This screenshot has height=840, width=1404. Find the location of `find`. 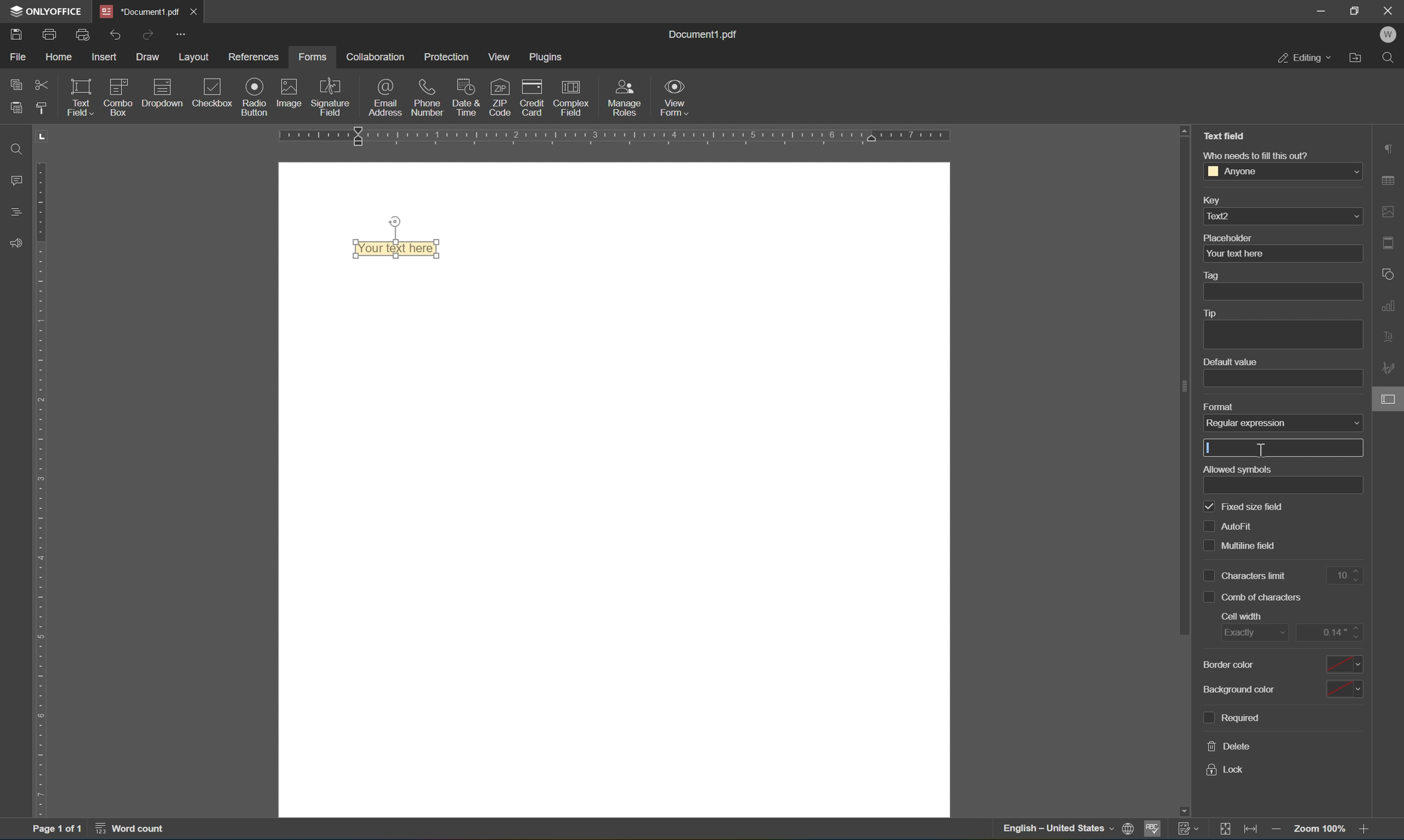

find is located at coordinates (1390, 58).